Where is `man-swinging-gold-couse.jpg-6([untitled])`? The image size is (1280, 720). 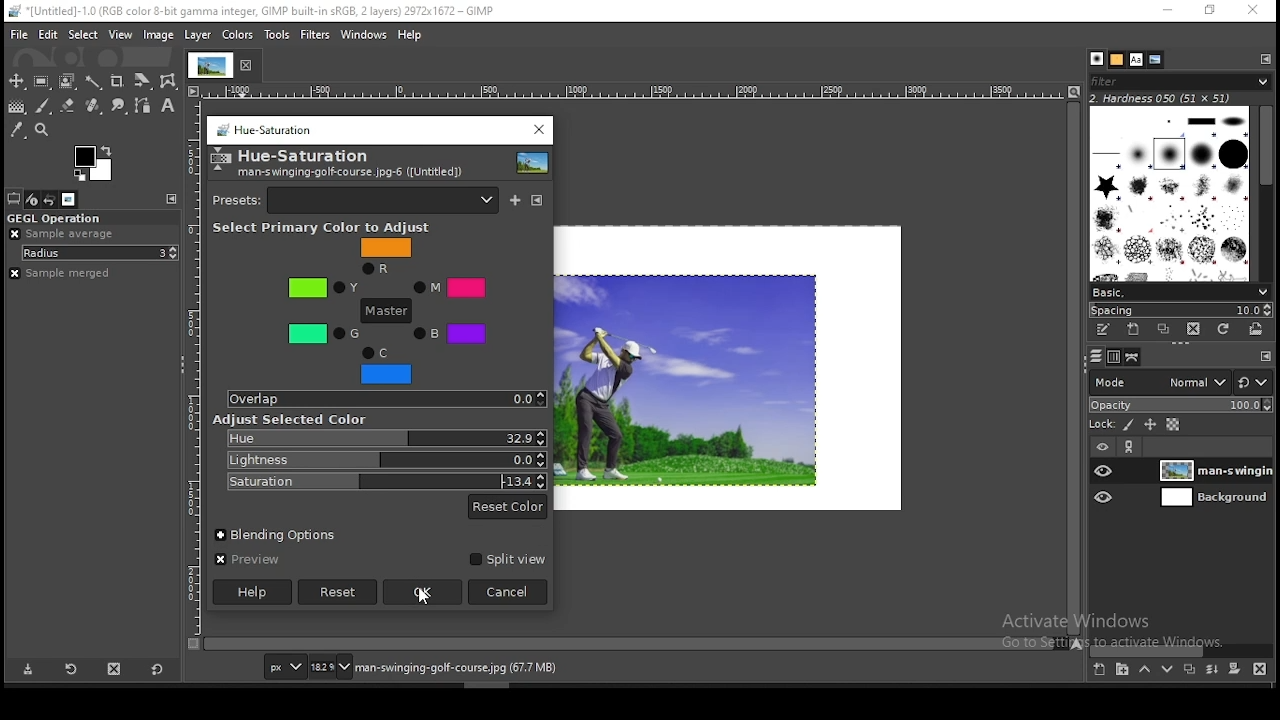 man-swinging-gold-couse.jpg-6([untitled]) is located at coordinates (348, 174).